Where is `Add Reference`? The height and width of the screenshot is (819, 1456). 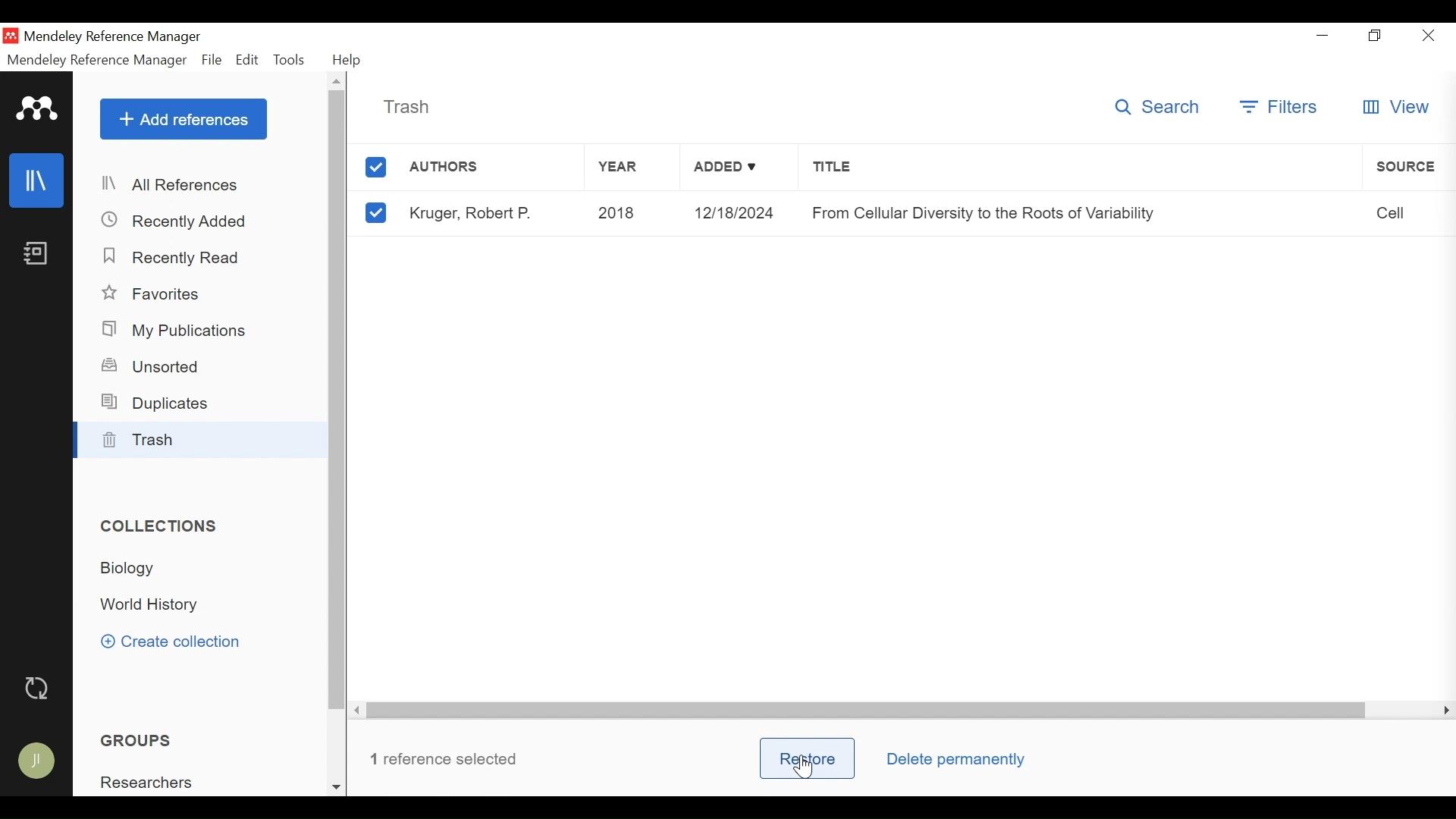 Add Reference is located at coordinates (183, 120).